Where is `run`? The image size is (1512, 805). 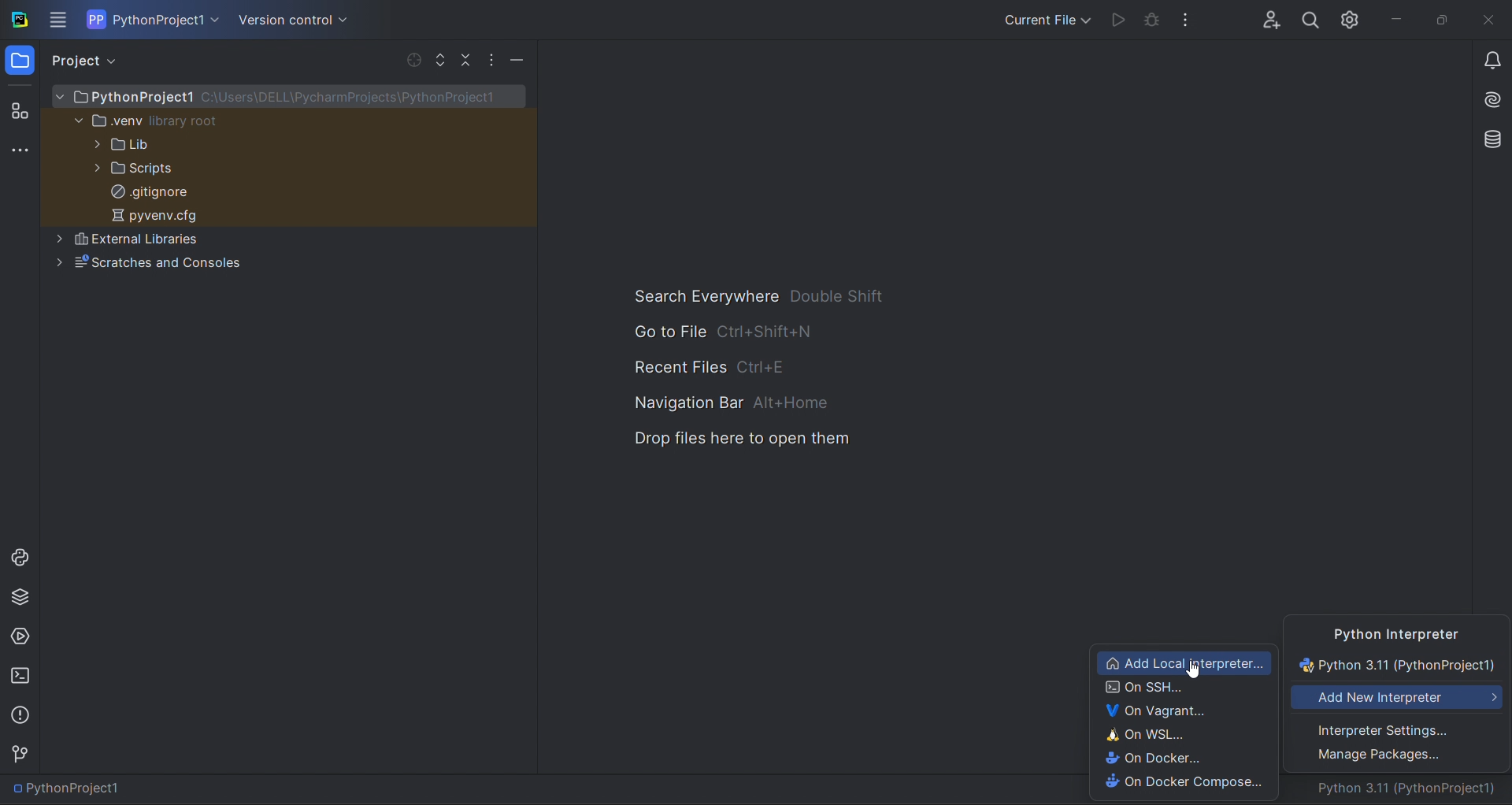 run is located at coordinates (1115, 20).